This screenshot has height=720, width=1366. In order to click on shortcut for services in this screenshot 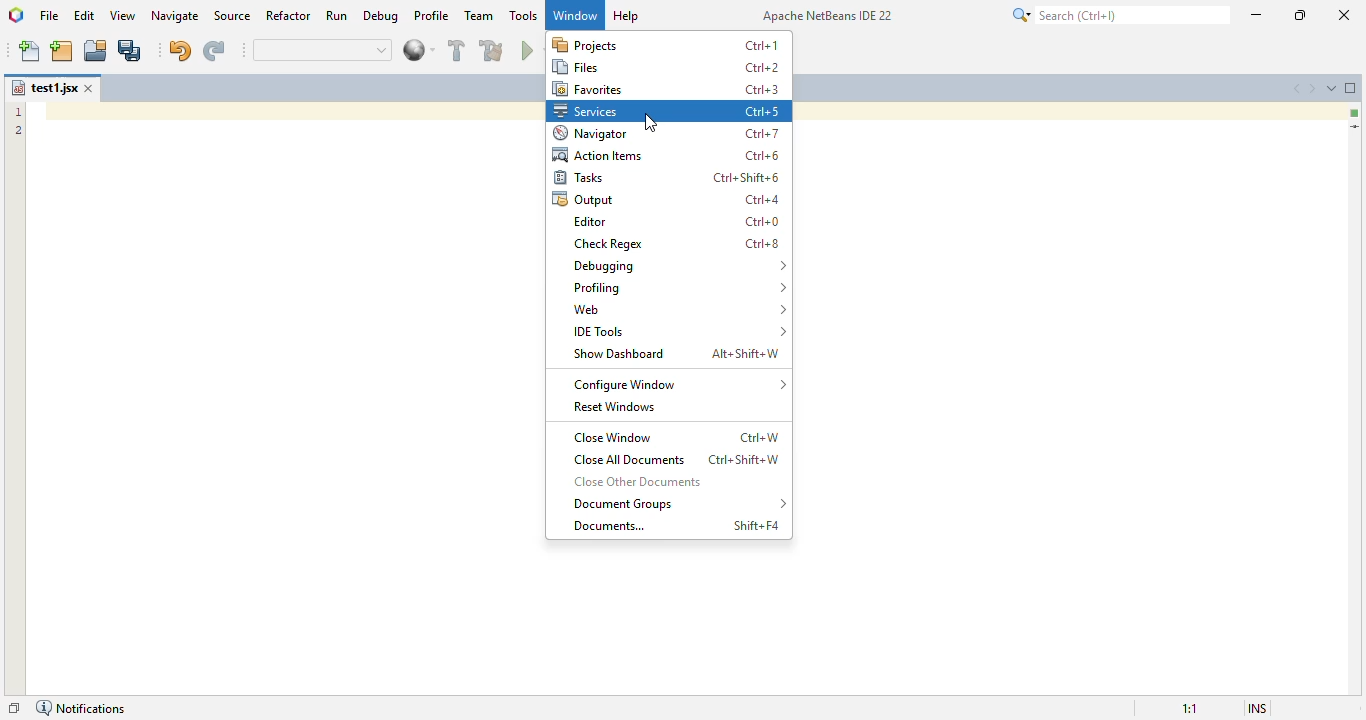, I will do `click(762, 113)`.